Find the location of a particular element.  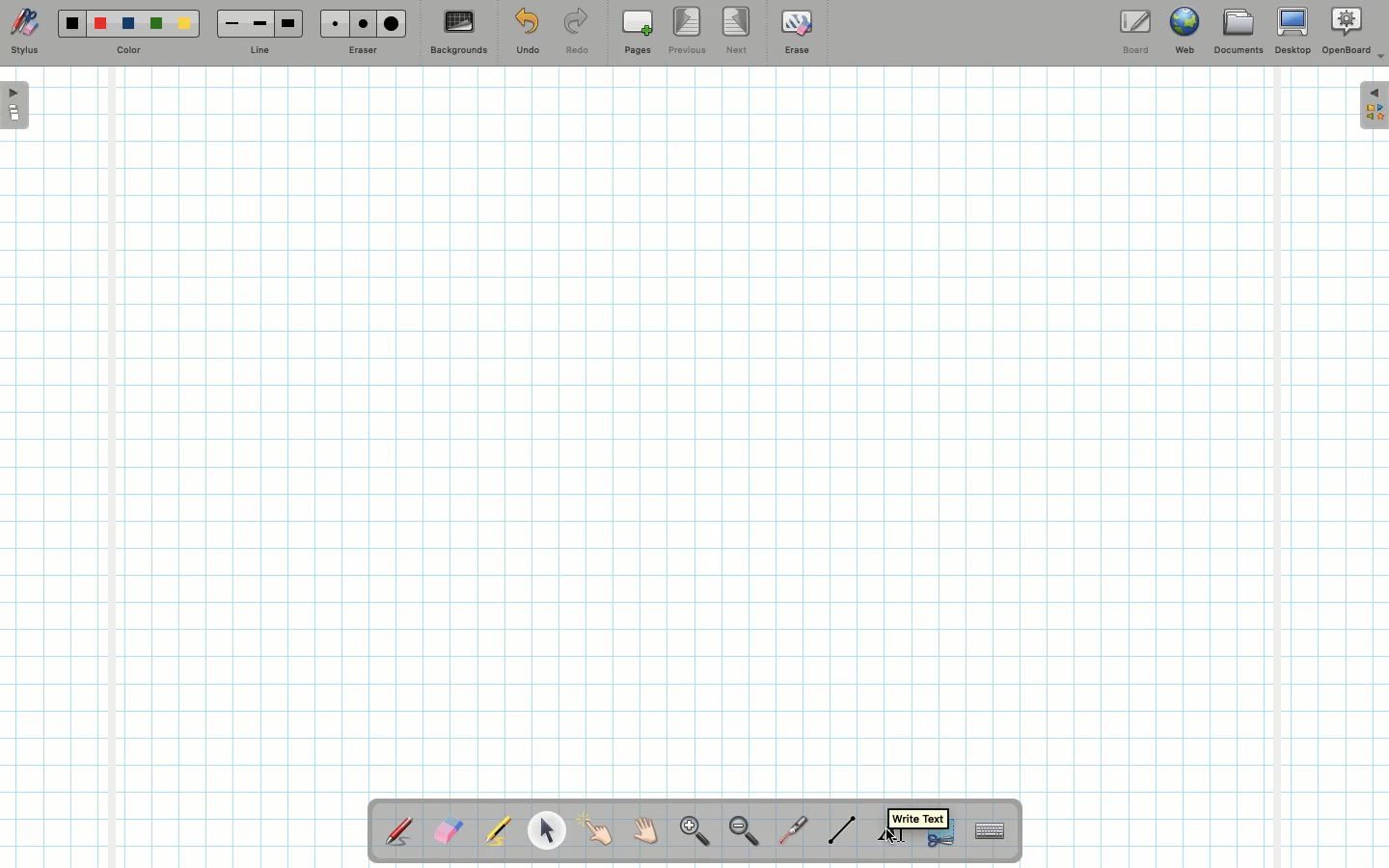

Line is located at coordinates (259, 51).